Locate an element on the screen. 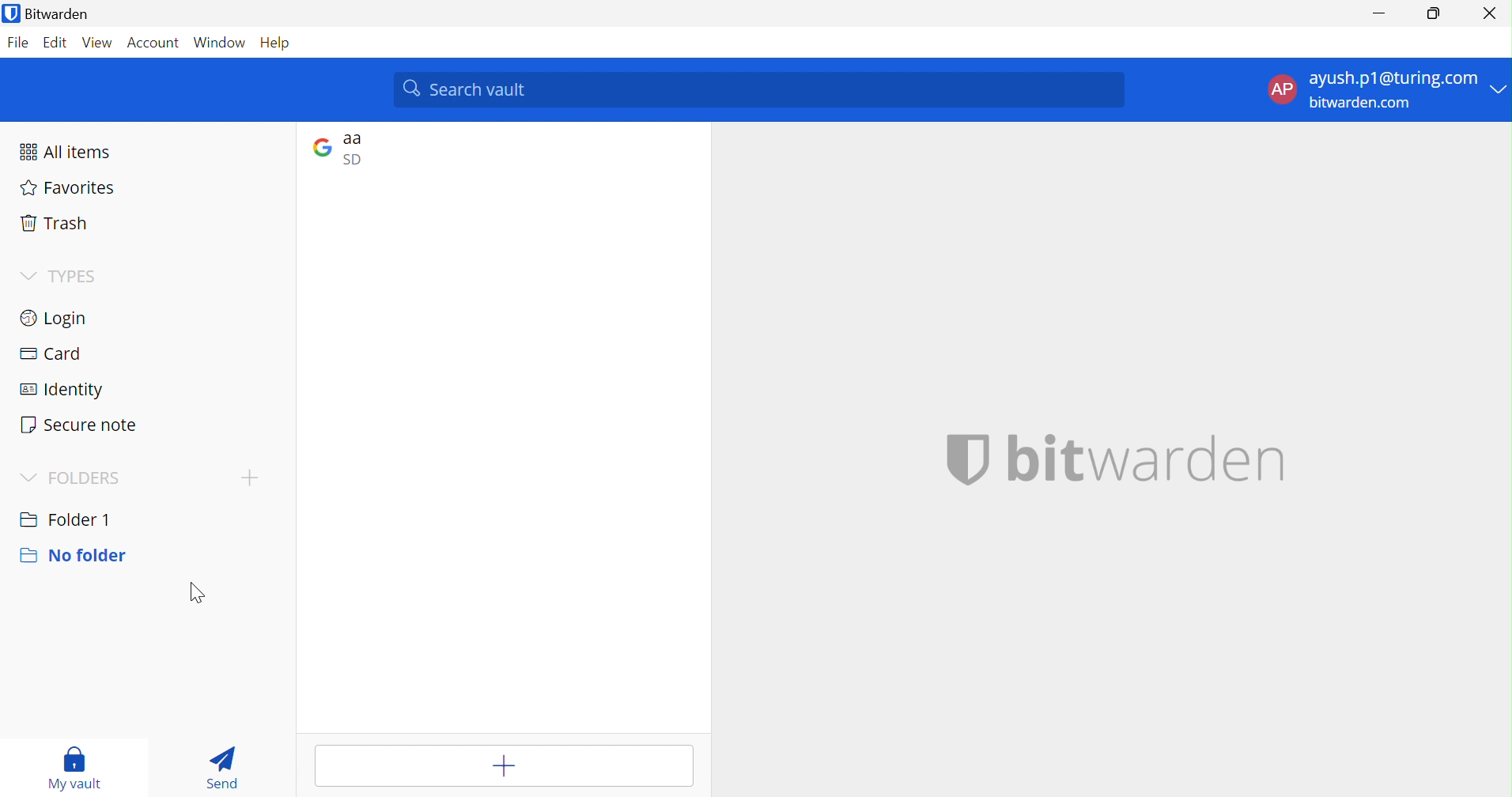 The image size is (1512, 797). Login is located at coordinates (56, 318).